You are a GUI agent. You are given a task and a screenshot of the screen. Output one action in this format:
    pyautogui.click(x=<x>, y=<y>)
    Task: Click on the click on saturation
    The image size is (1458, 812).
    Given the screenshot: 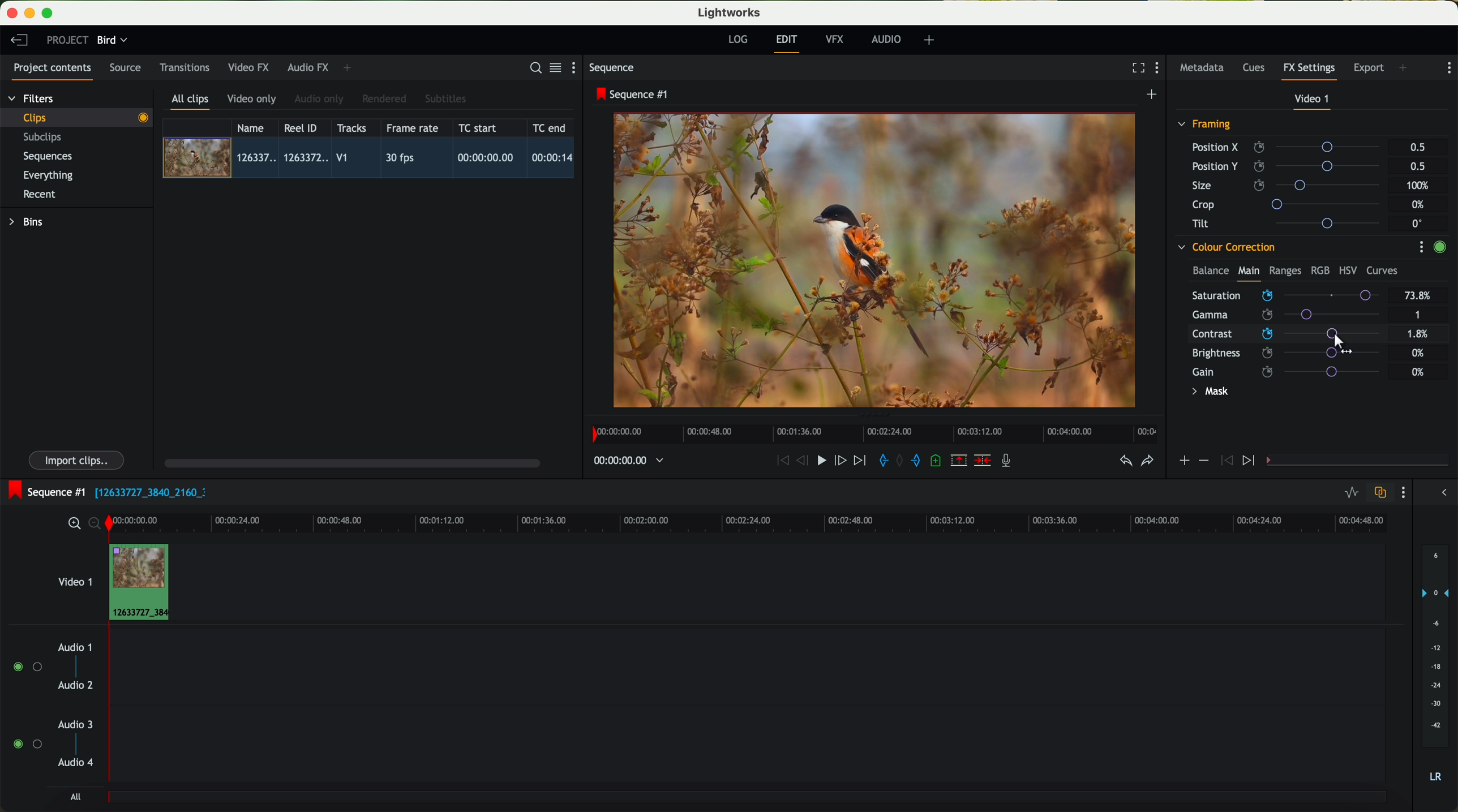 What is the action you would take?
    pyautogui.click(x=1280, y=316)
    